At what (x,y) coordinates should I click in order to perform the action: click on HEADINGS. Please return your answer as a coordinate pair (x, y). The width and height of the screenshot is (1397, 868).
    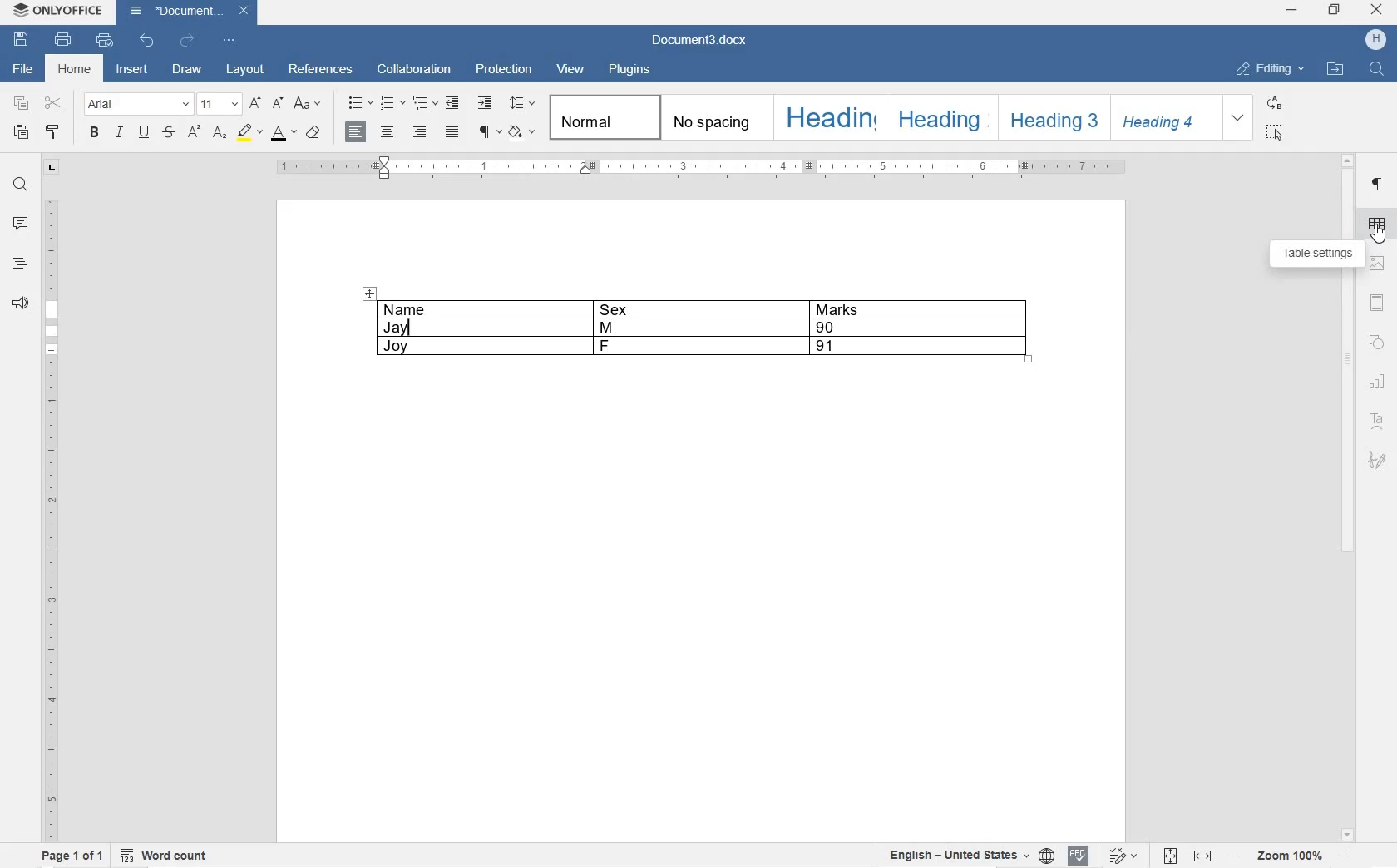
    Looking at the image, I should click on (18, 263).